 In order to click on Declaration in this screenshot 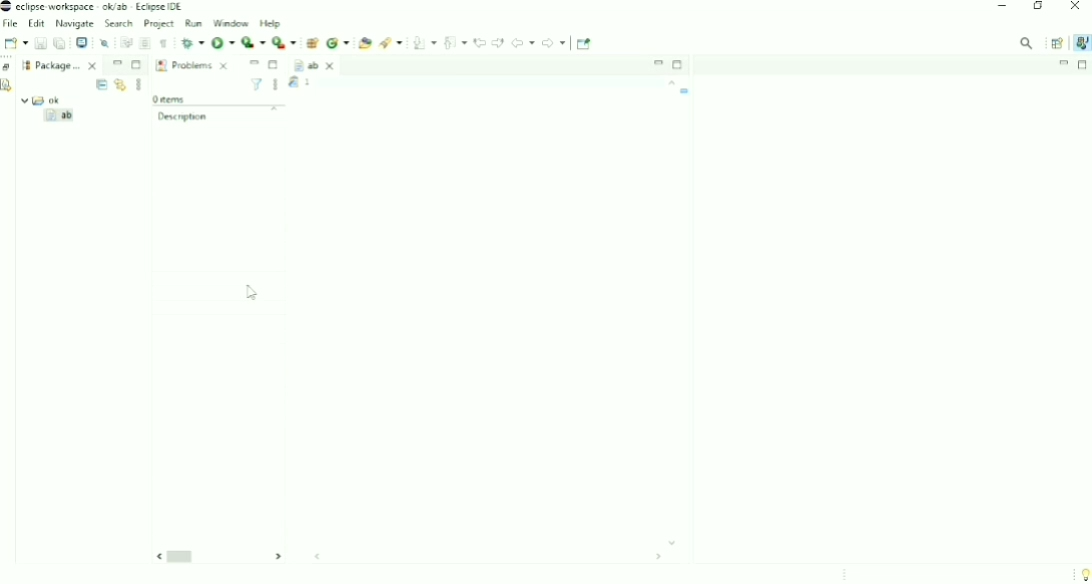, I will do `click(9, 87)`.